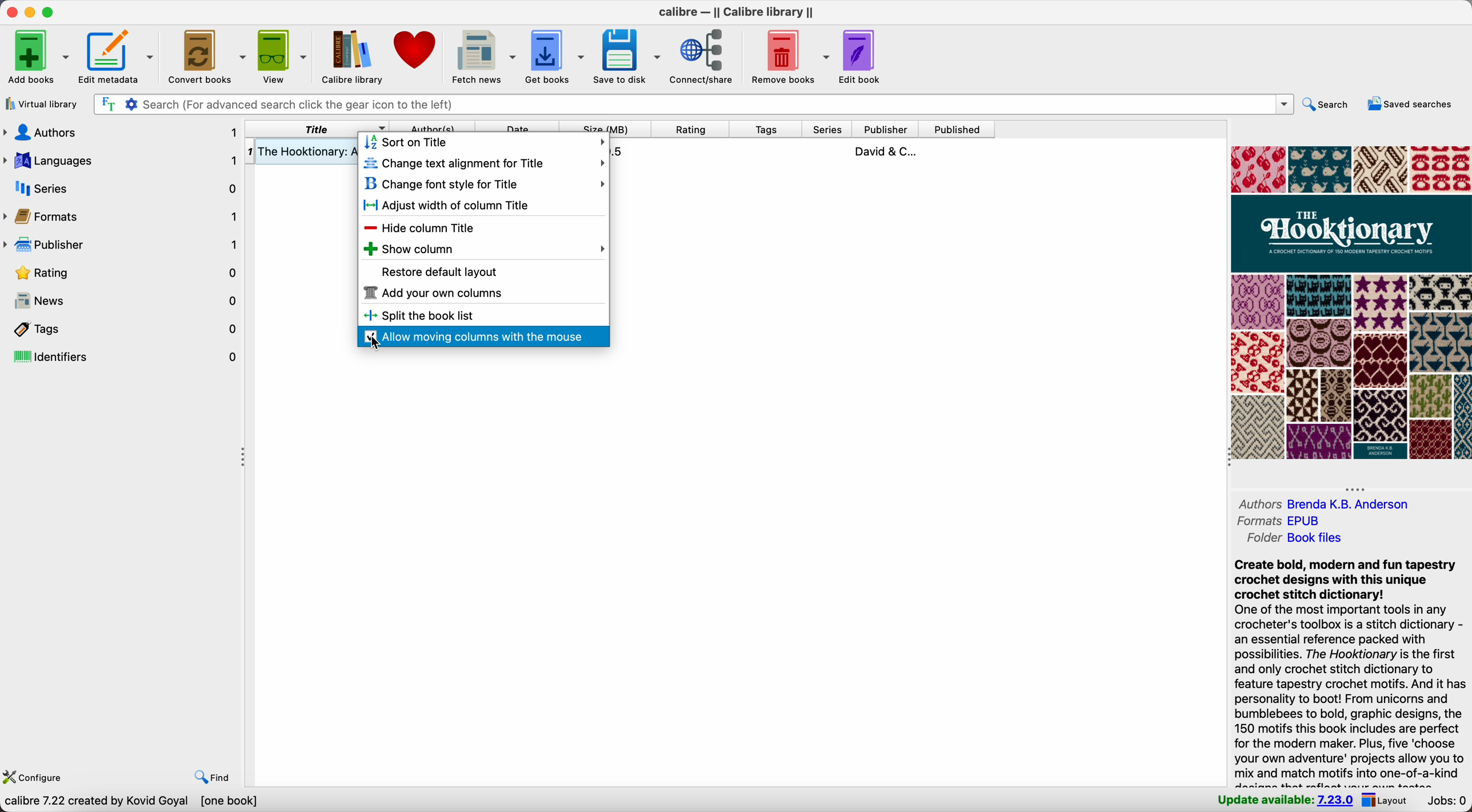 The width and height of the screenshot is (1472, 812). Describe the element at coordinates (122, 186) in the screenshot. I see `series` at that location.